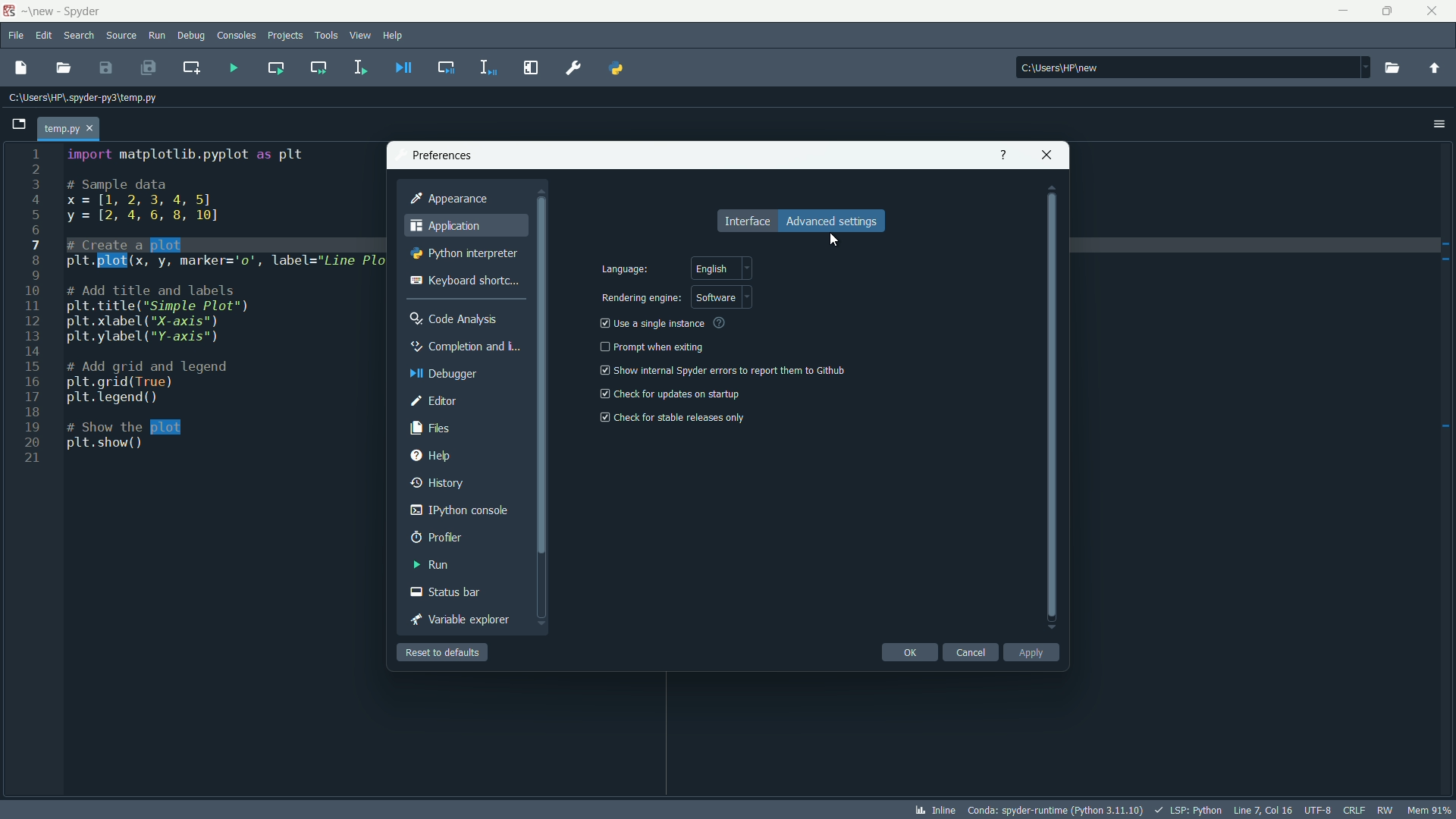 The image size is (1456, 819). I want to click on checkbox, so click(602, 347).